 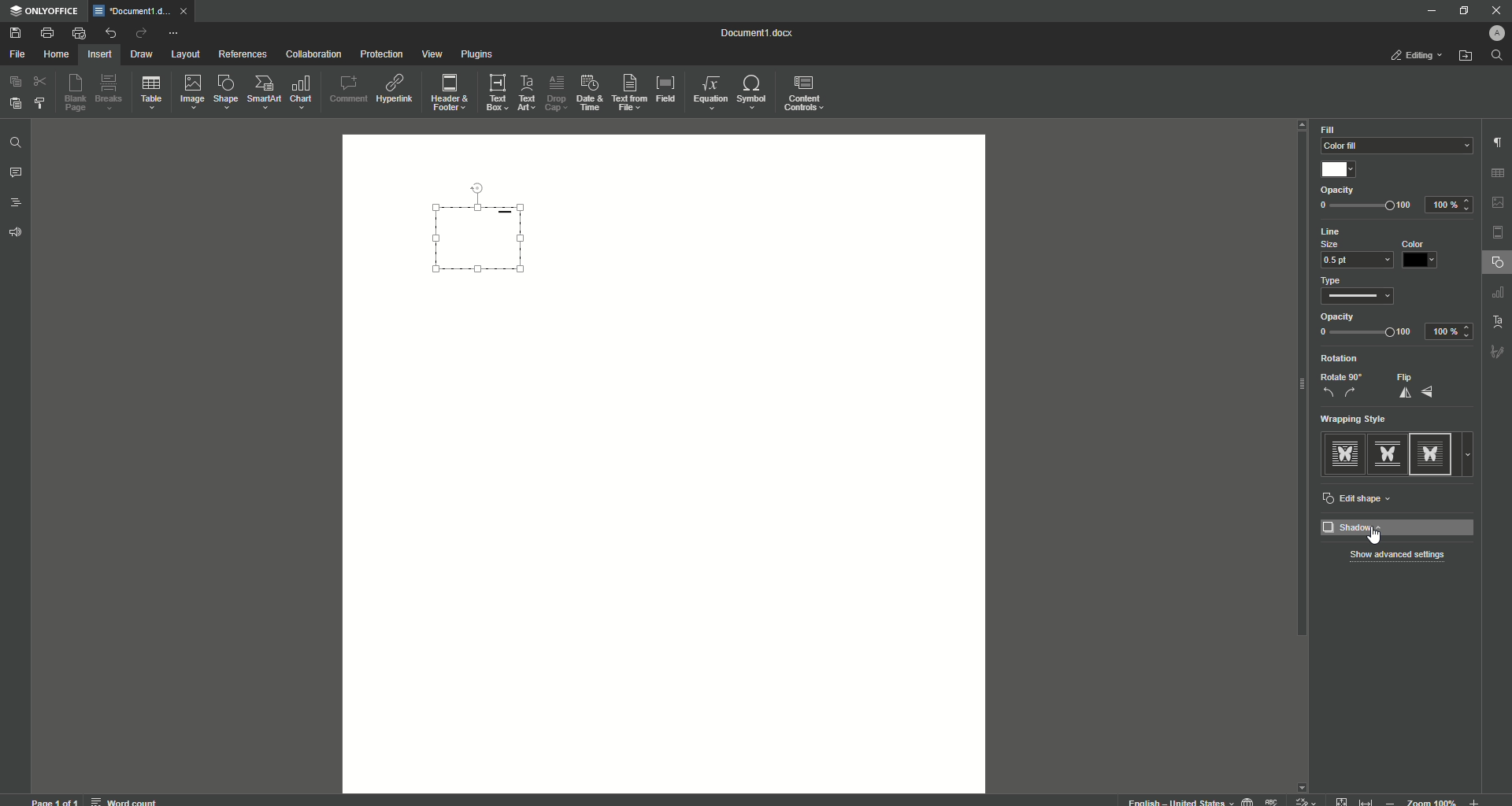 I want to click on 0.5 pt, so click(x=1354, y=261).